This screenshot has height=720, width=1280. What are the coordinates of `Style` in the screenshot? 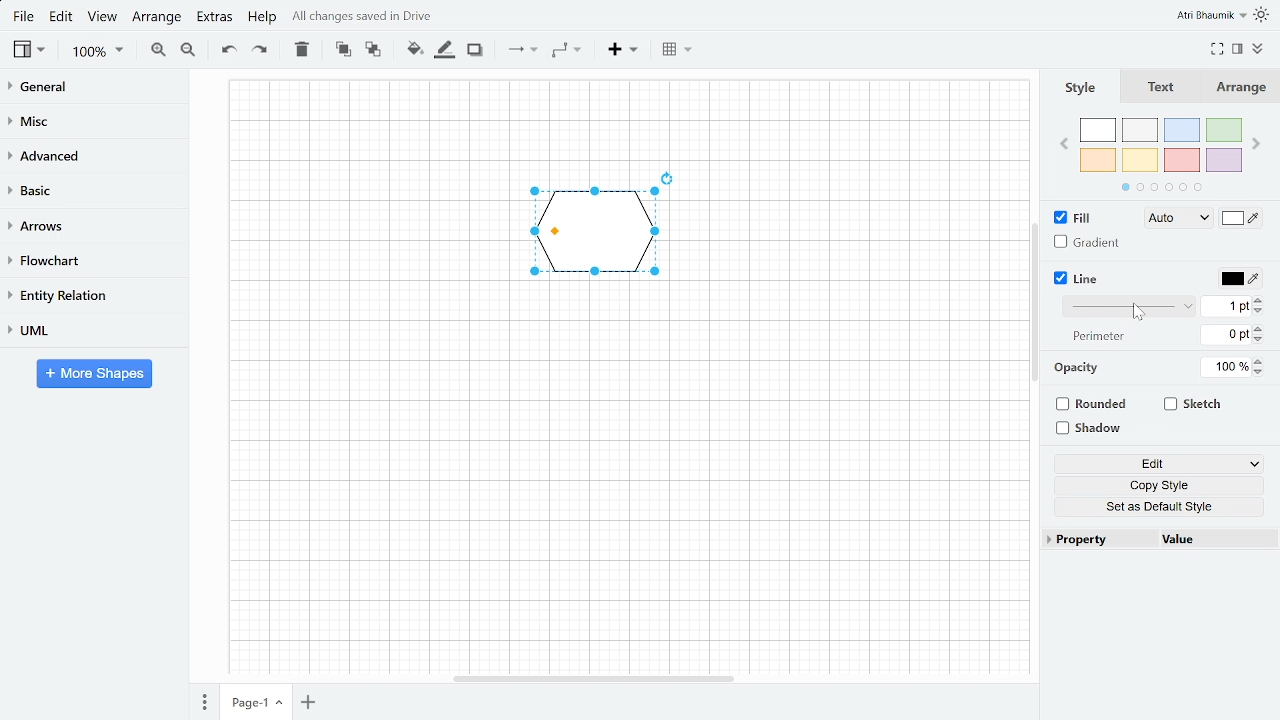 It's located at (1074, 88).